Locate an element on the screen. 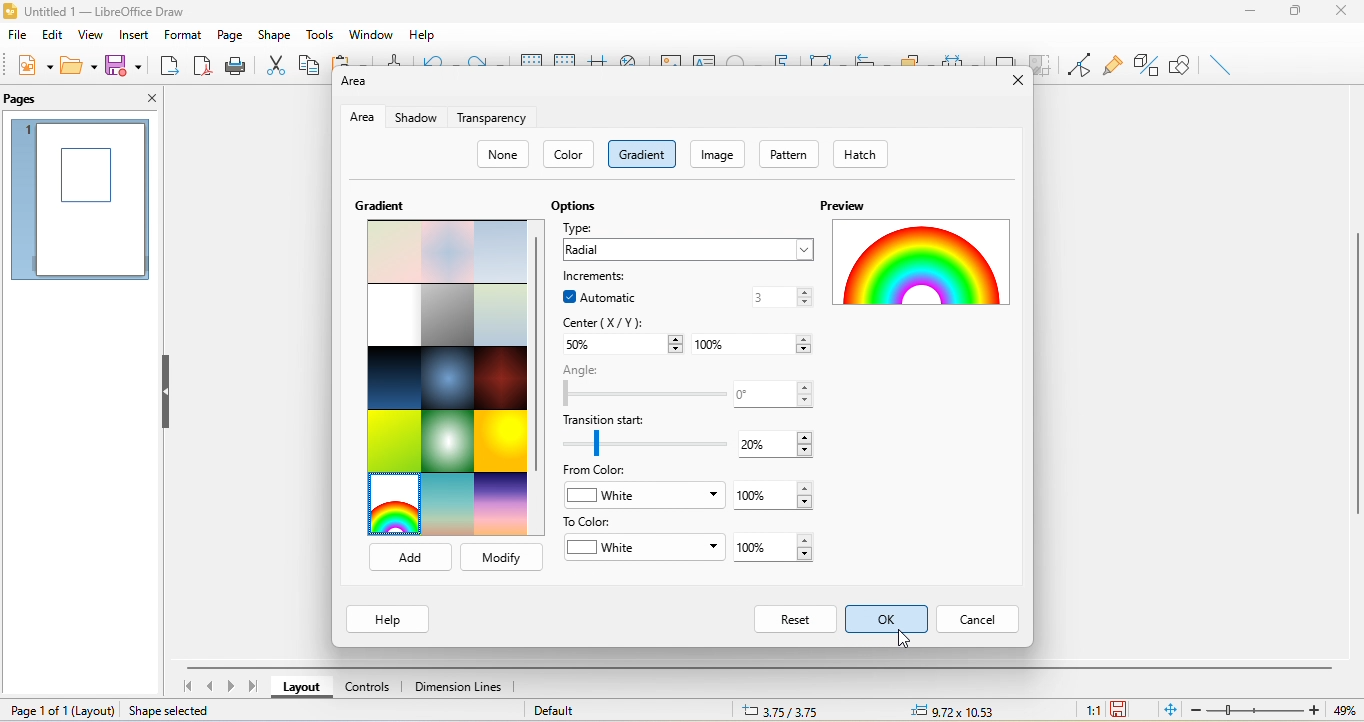  window is located at coordinates (370, 32).